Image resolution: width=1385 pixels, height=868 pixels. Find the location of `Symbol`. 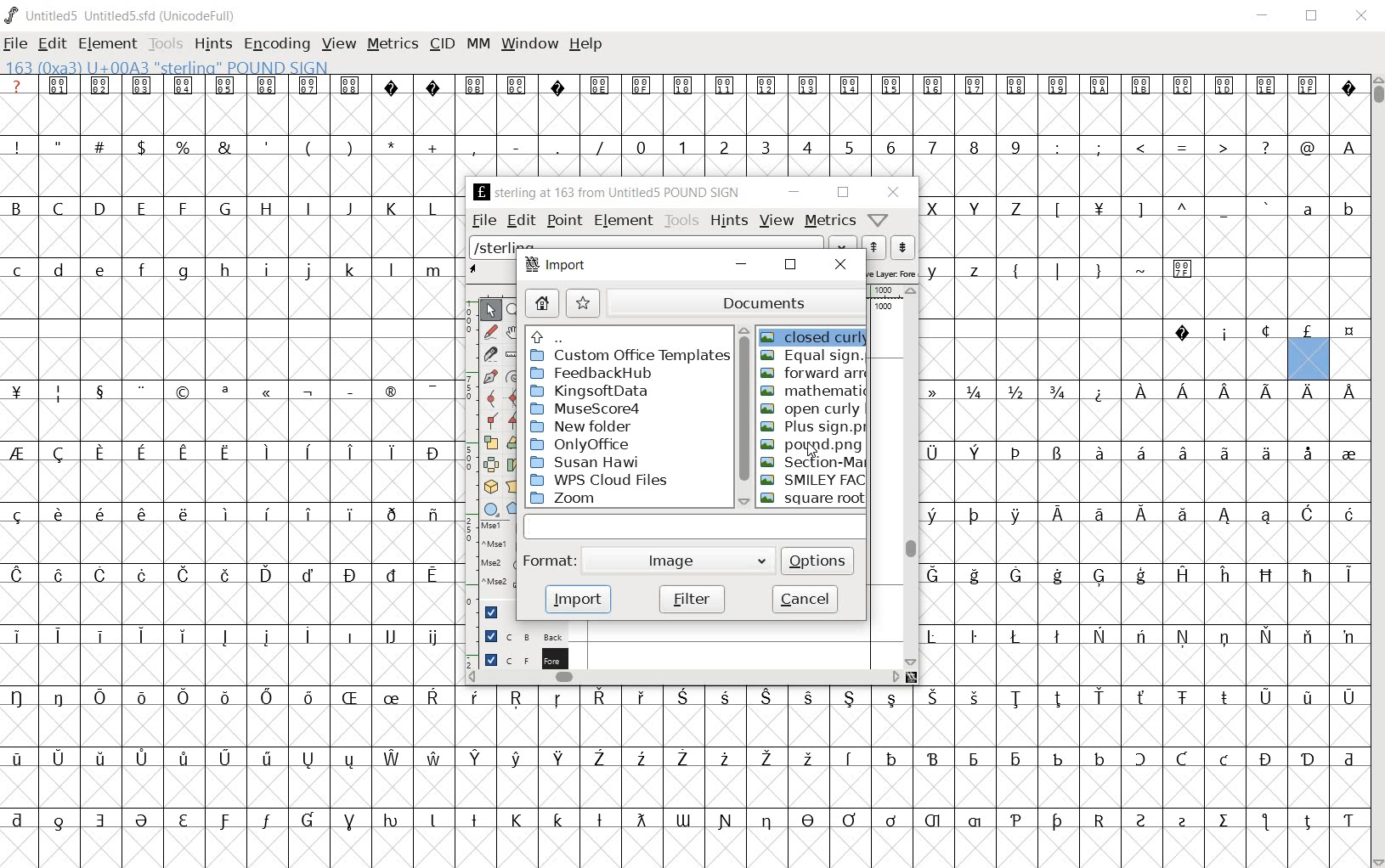

Symbol is located at coordinates (1184, 519).